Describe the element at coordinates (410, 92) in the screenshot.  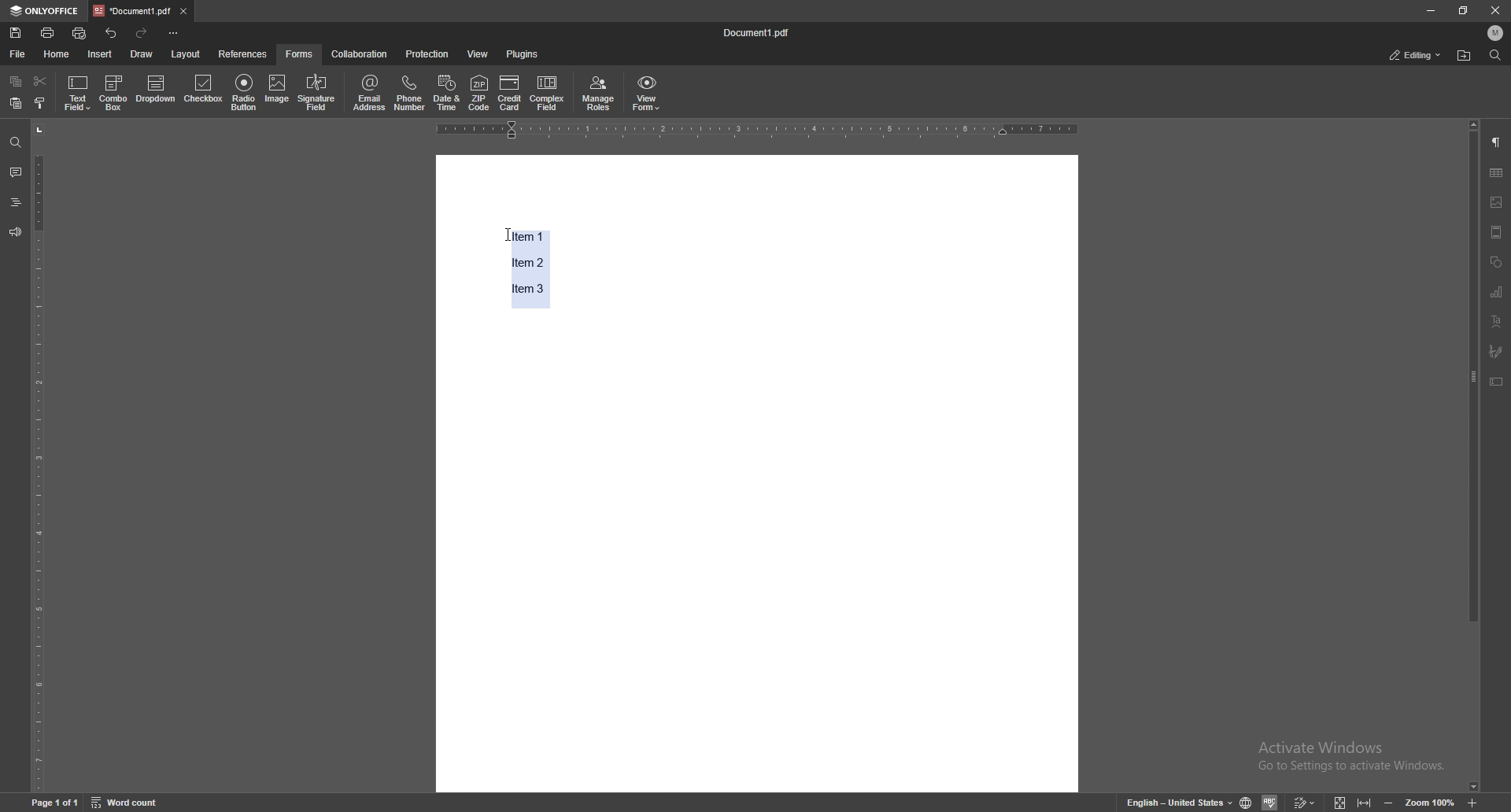
I see `phone number` at that location.